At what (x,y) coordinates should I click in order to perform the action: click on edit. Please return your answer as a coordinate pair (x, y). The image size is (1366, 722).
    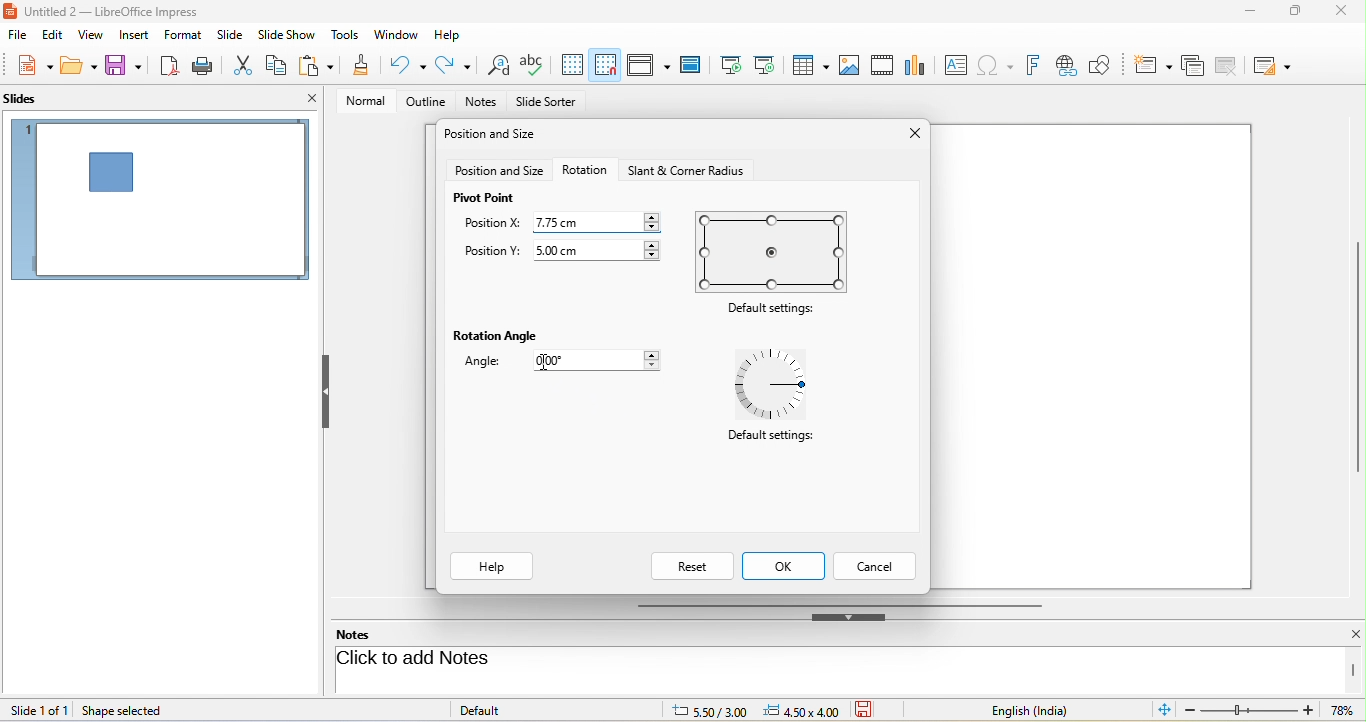
    Looking at the image, I should click on (51, 36).